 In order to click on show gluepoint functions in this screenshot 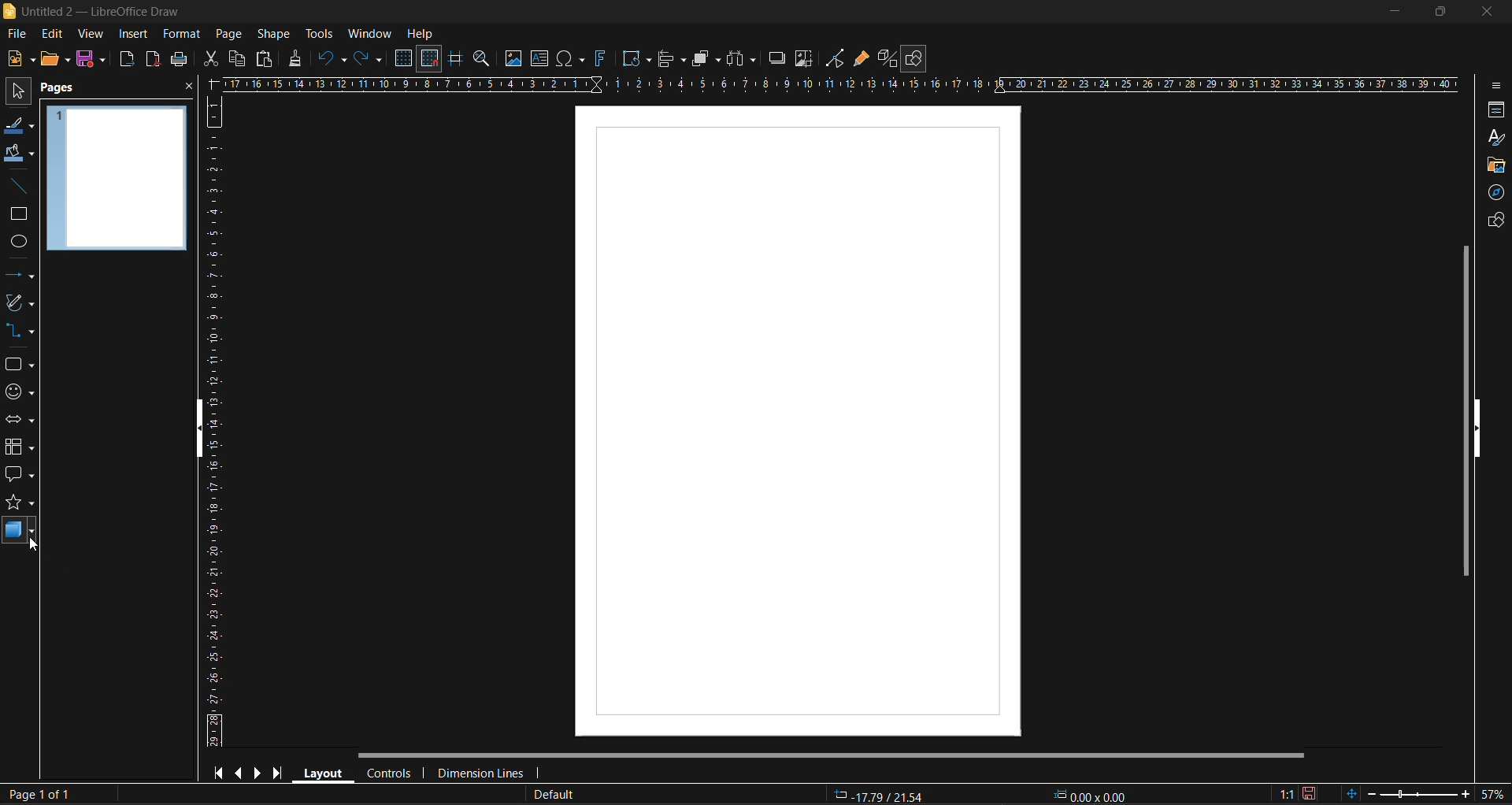, I will do `click(861, 59)`.